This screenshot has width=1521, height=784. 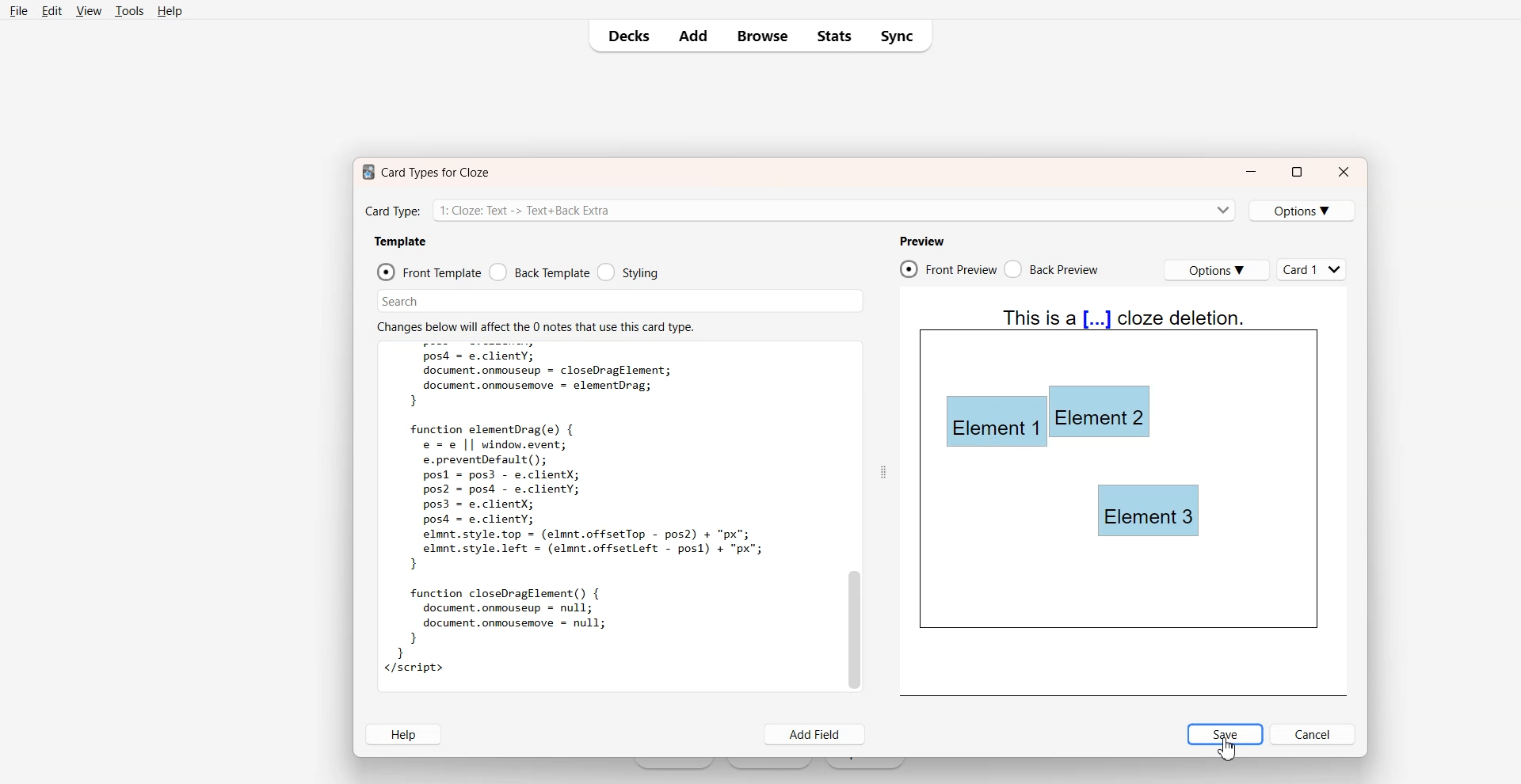 I want to click on Cards, so click(x=1313, y=269).